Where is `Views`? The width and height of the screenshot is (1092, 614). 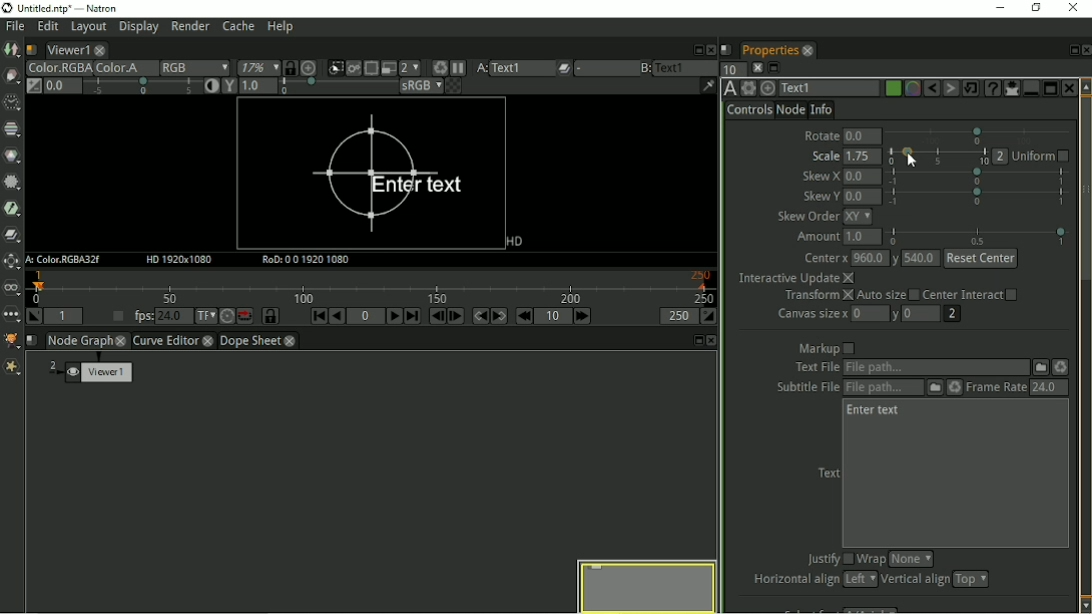 Views is located at coordinates (10, 290).